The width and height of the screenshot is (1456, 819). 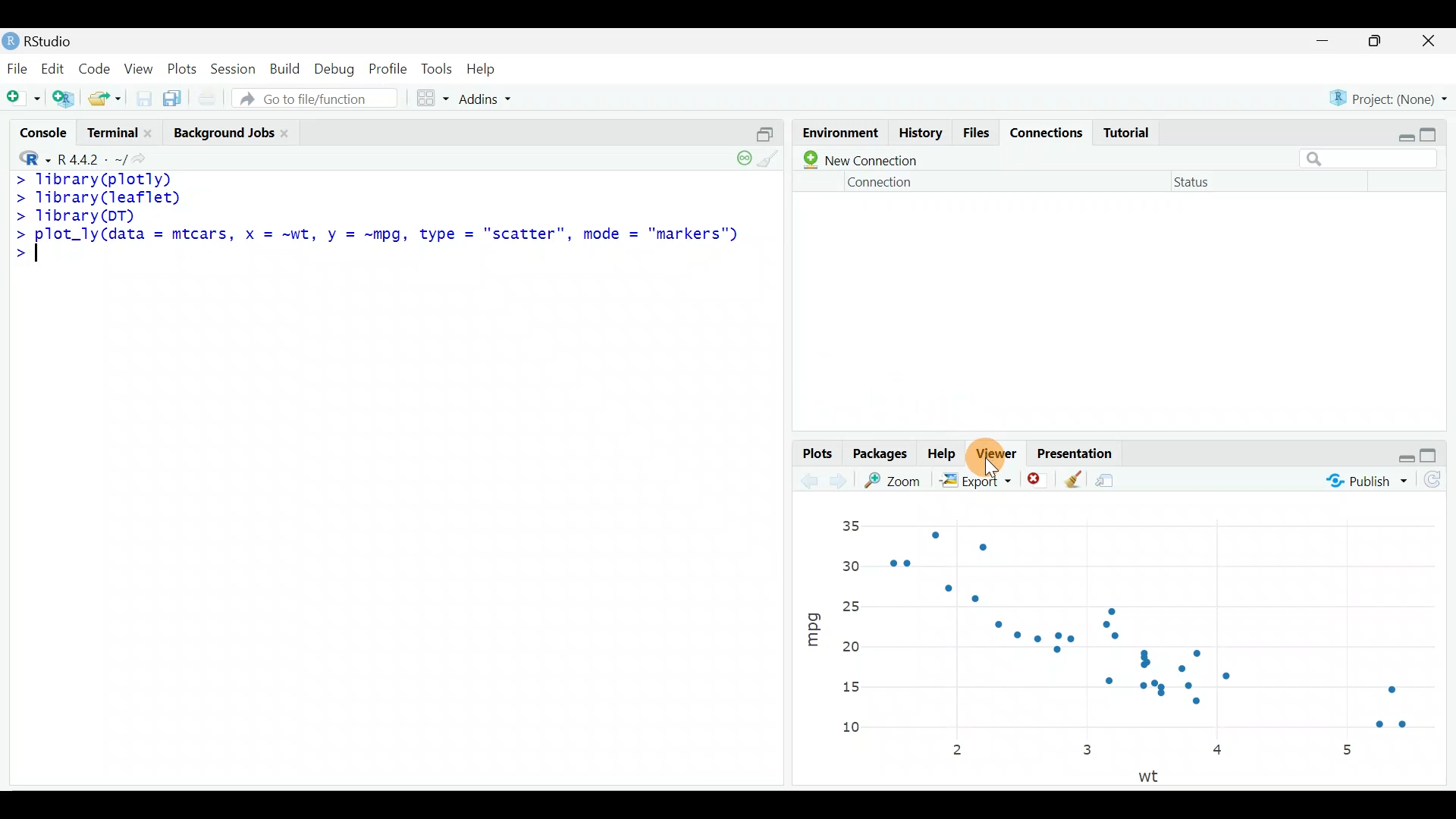 I want to click on 15, so click(x=850, y=686).